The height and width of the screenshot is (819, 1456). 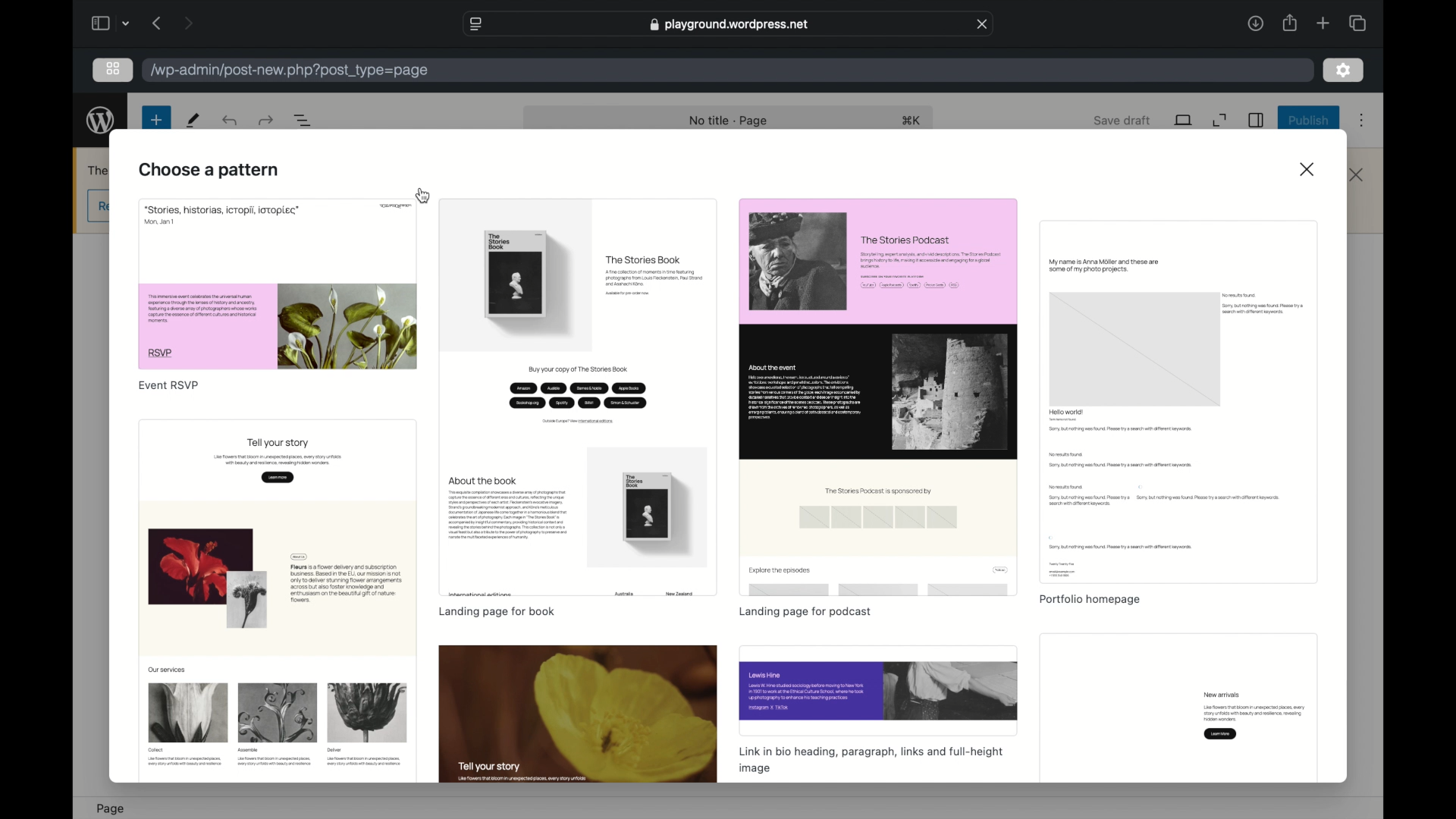 I want to click on wordpress address, so click(x=290, y=71).